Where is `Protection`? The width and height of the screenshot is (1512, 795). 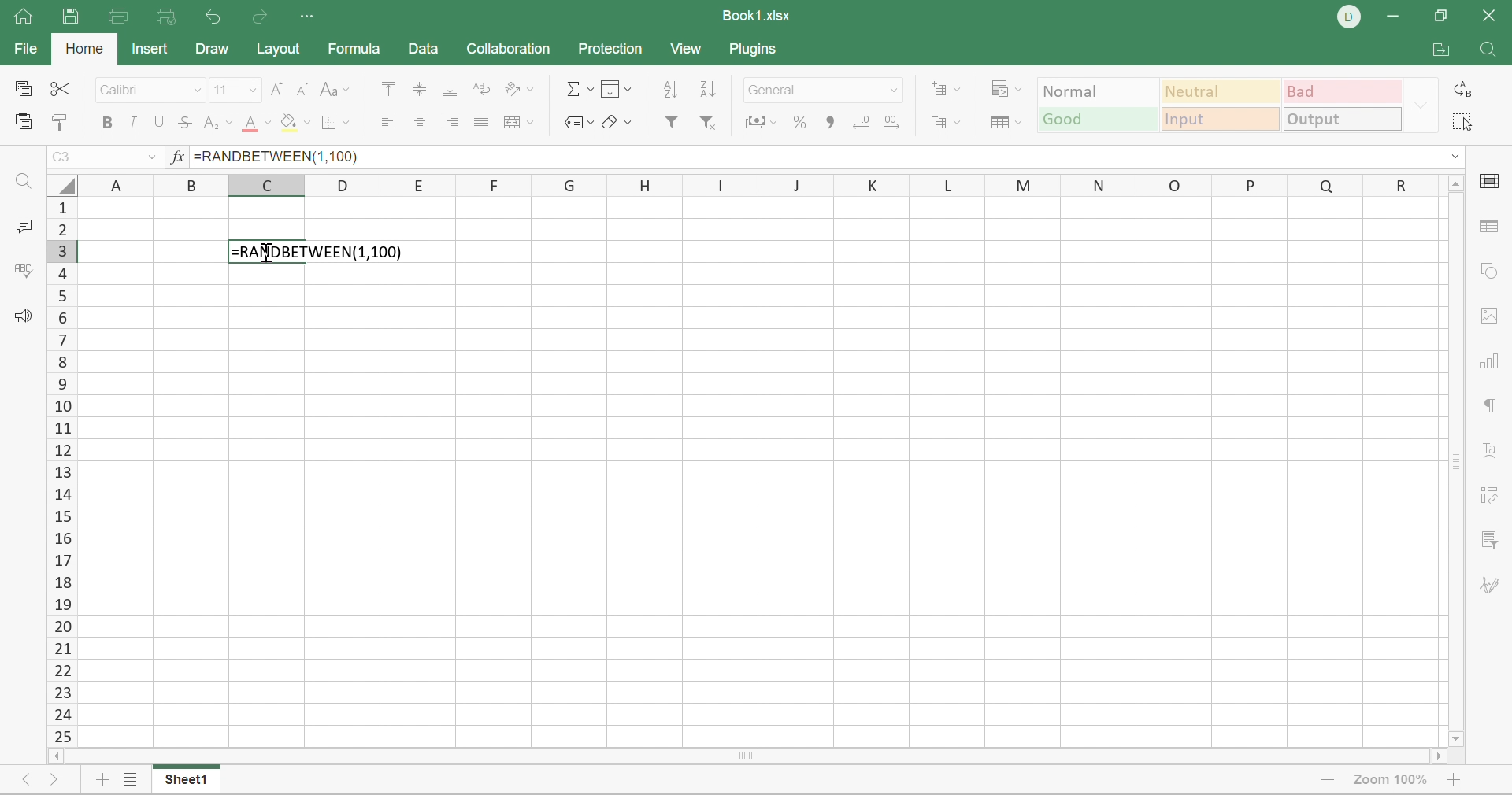
Protection is located at coordinates (607, 50).